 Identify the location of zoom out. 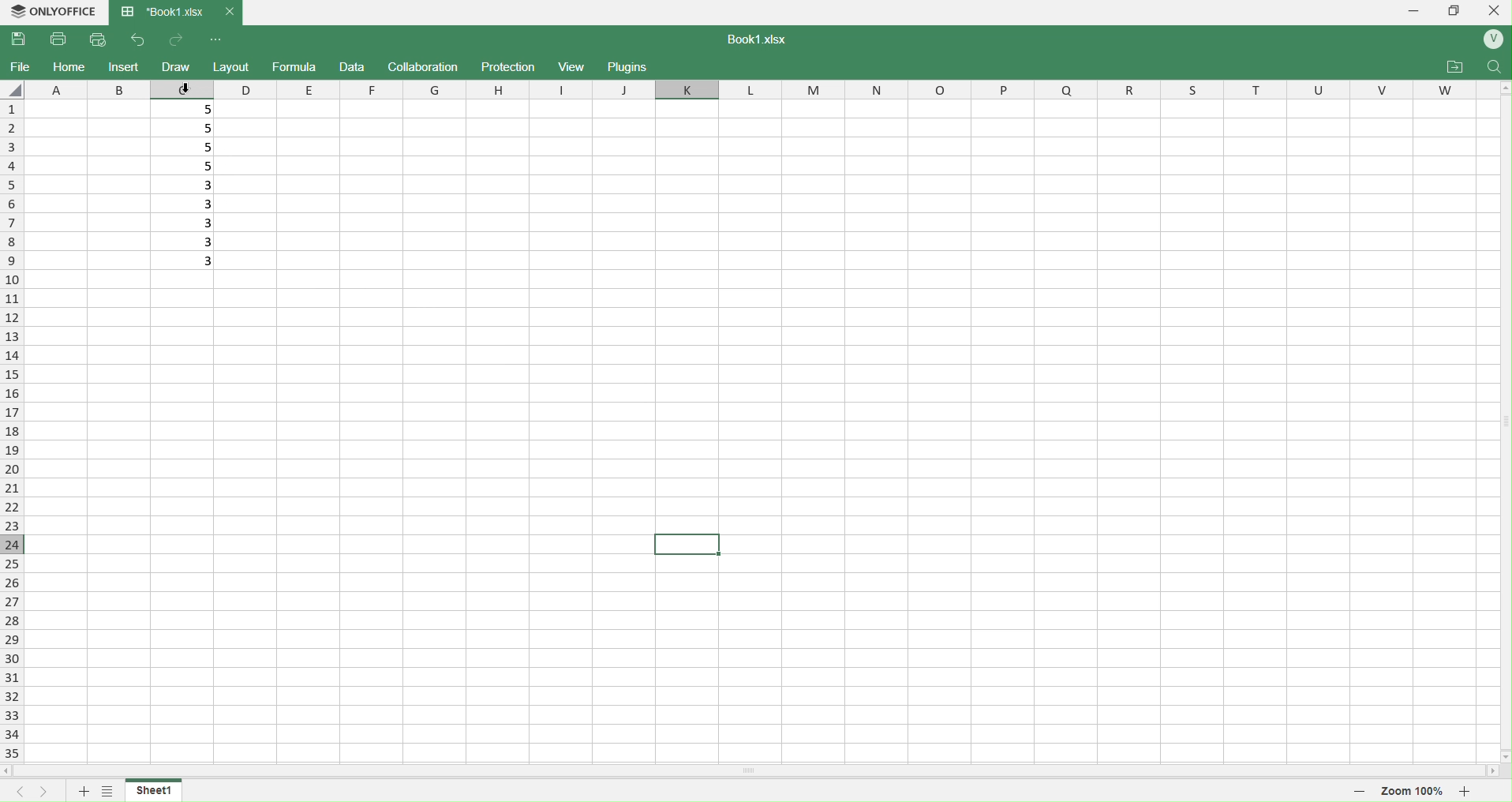
(1357, 789).